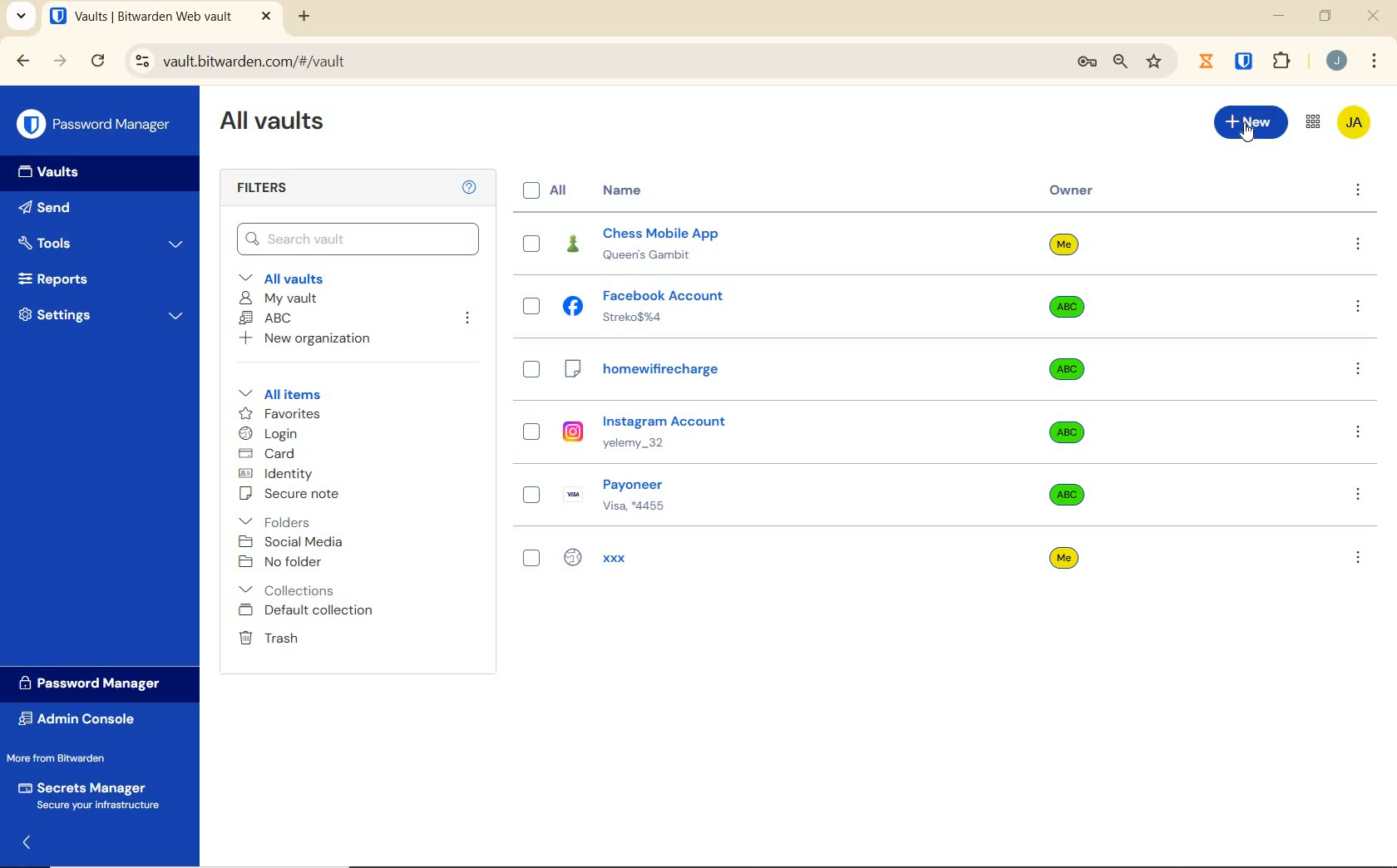 This screenshot has width=1397, height=868. I want to click on No folder, so click(285, 563).